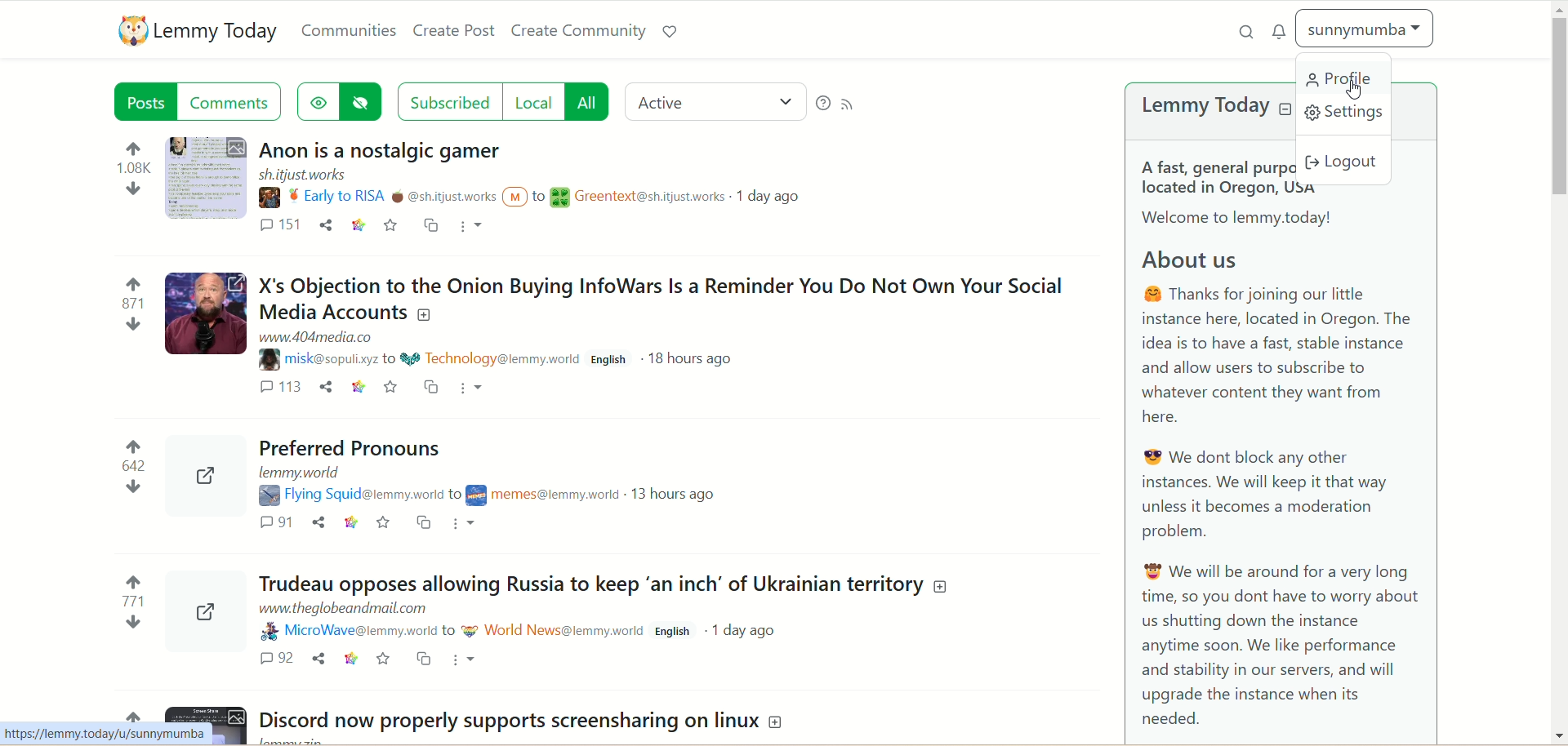  What do you see at coordinates (365, 102) in the screenshot?
I see `hide posts` at bounding box center [365, 102].